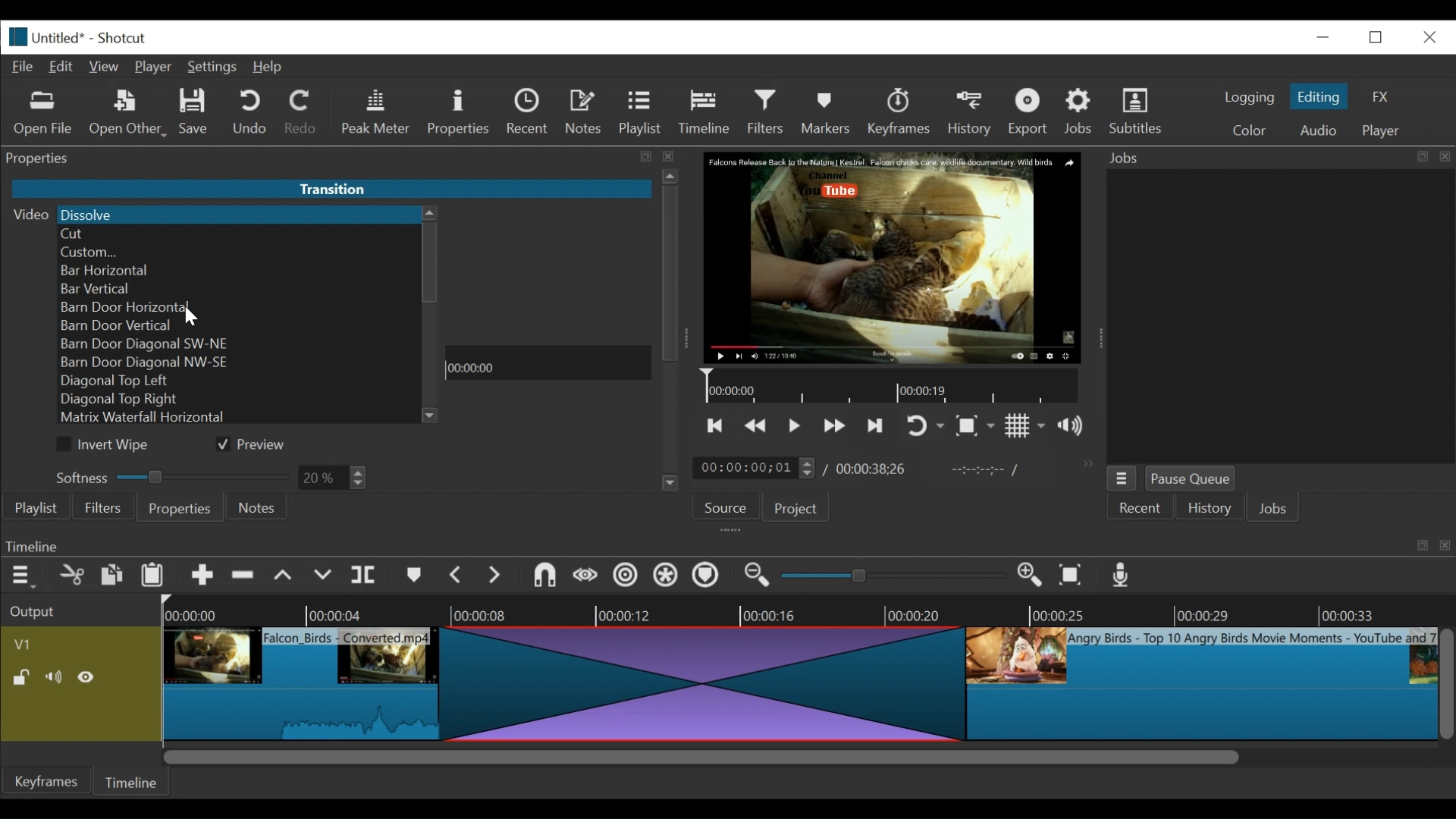  I want to click on Player, so click(157, 68).